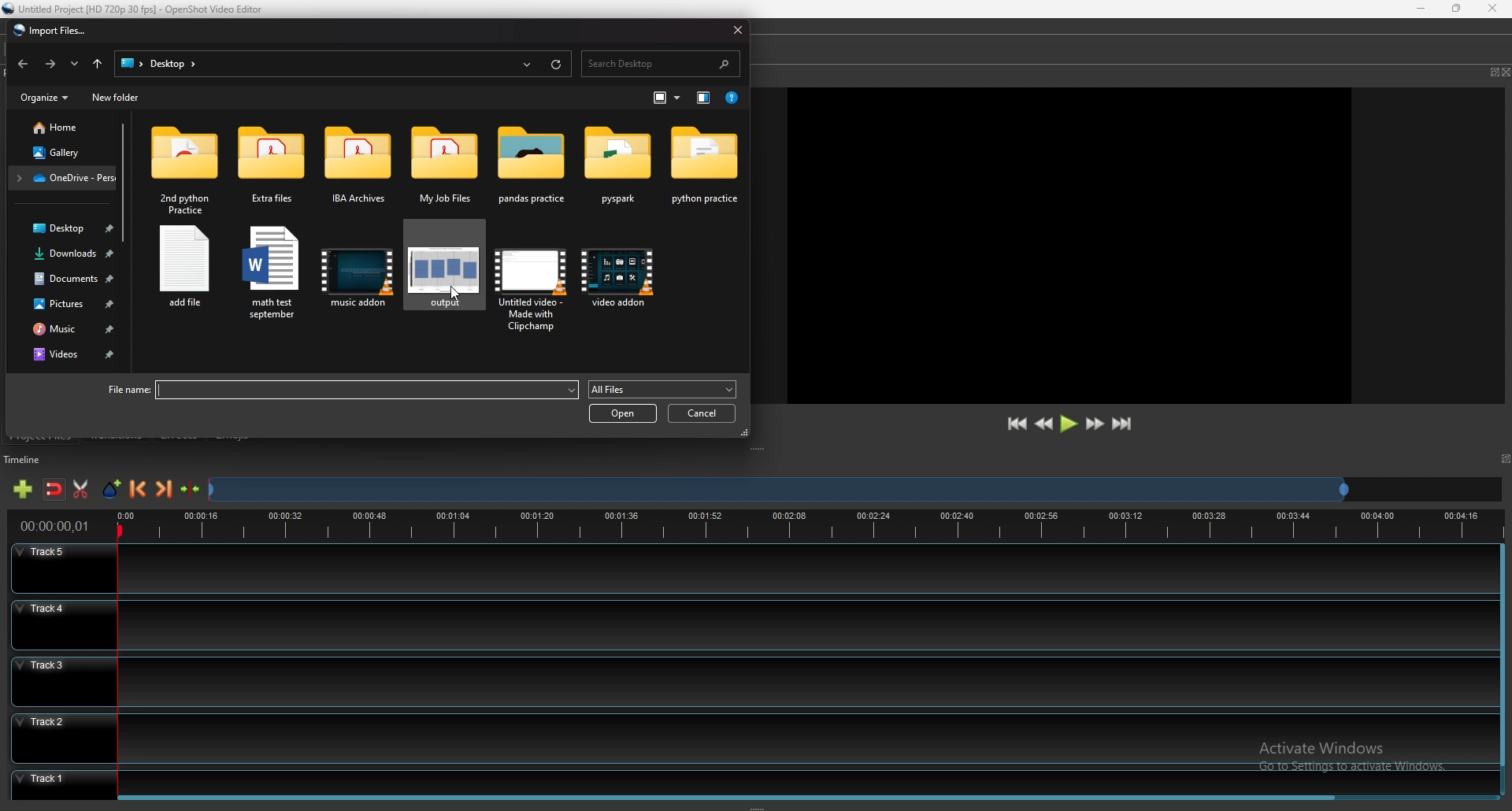 The height and width of the screenshot is (811, 1512). Describe the element at coordinates (23, 62) in the screenshot. I see `back` at that location.